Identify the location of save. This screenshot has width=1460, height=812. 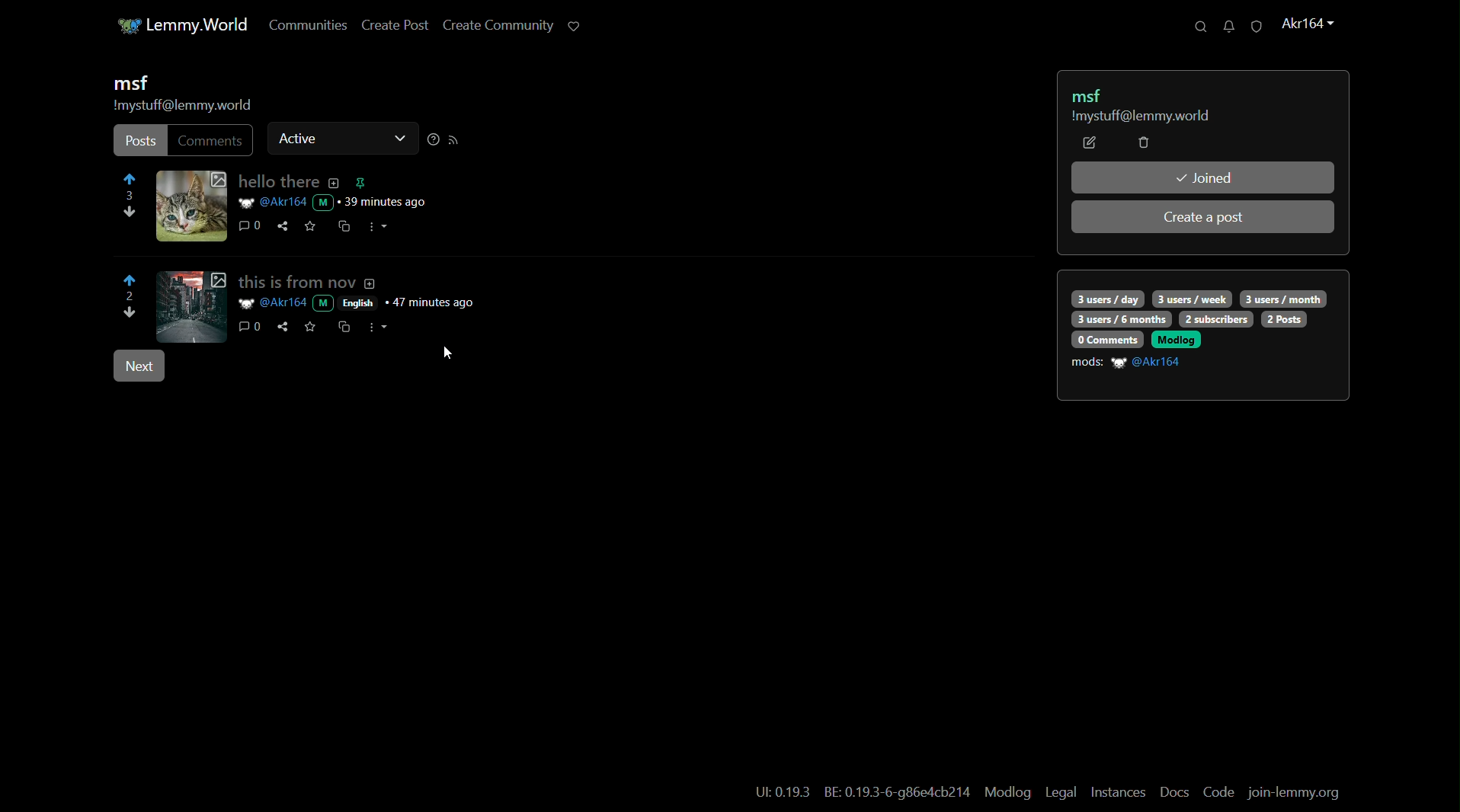
(309, 326).